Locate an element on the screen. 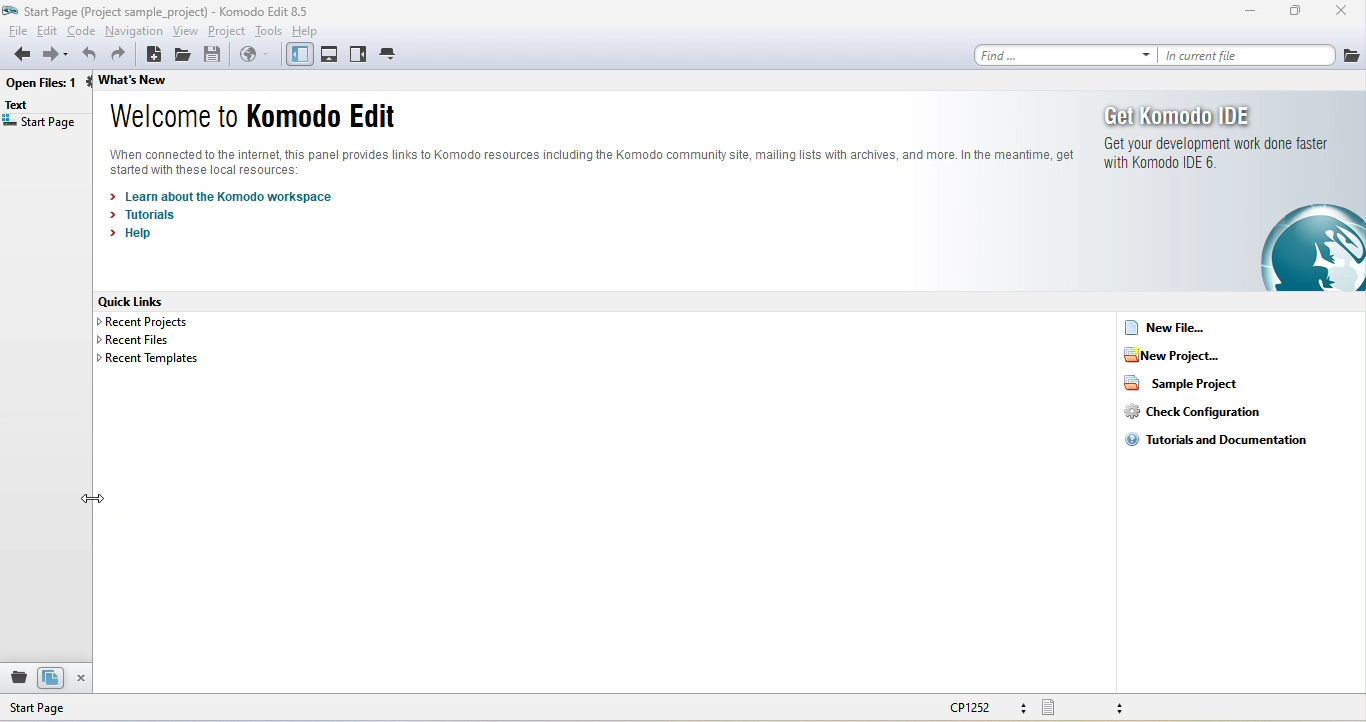 Image resolution: width=1366 pixels, height=722 pixels. tab is located at coordinates (390, 53).